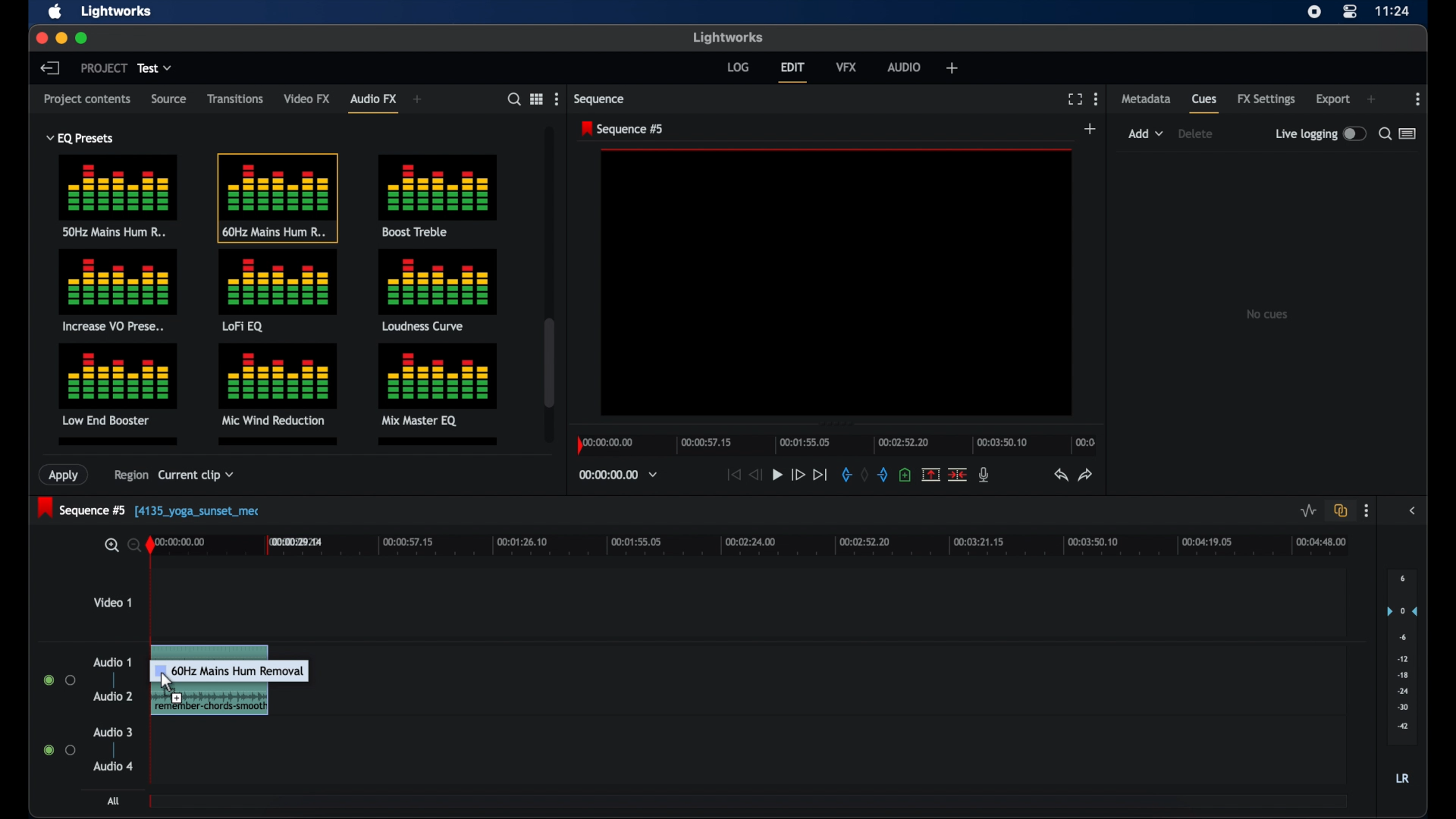 The width and height of the screenshot is (1456, 819). Describe the element at coordinates (1205, 103) in the screenshot. I see `cues` at that location.